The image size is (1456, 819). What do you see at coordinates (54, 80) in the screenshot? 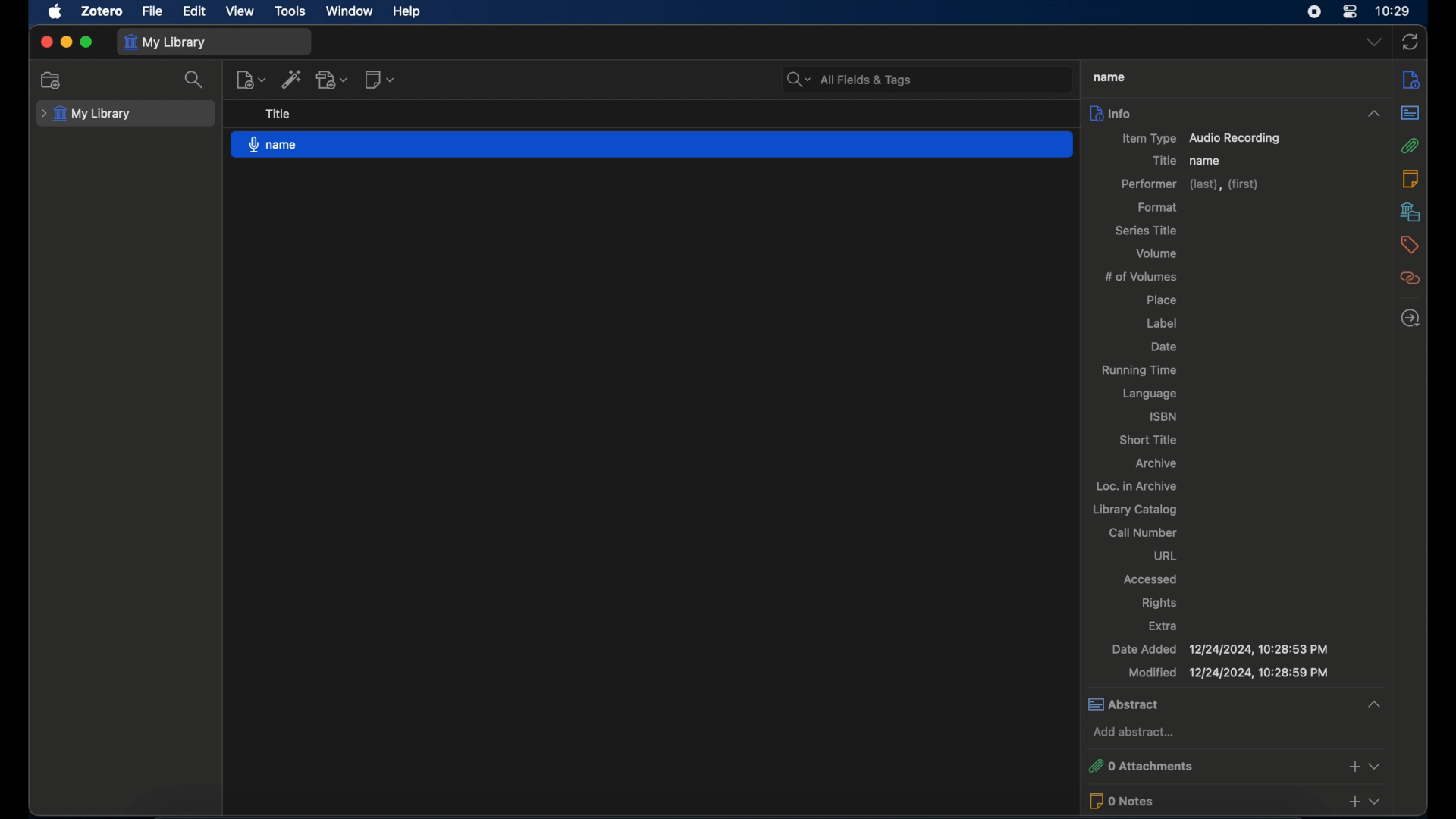
I see `new collection` at bounding box center [54, 80].